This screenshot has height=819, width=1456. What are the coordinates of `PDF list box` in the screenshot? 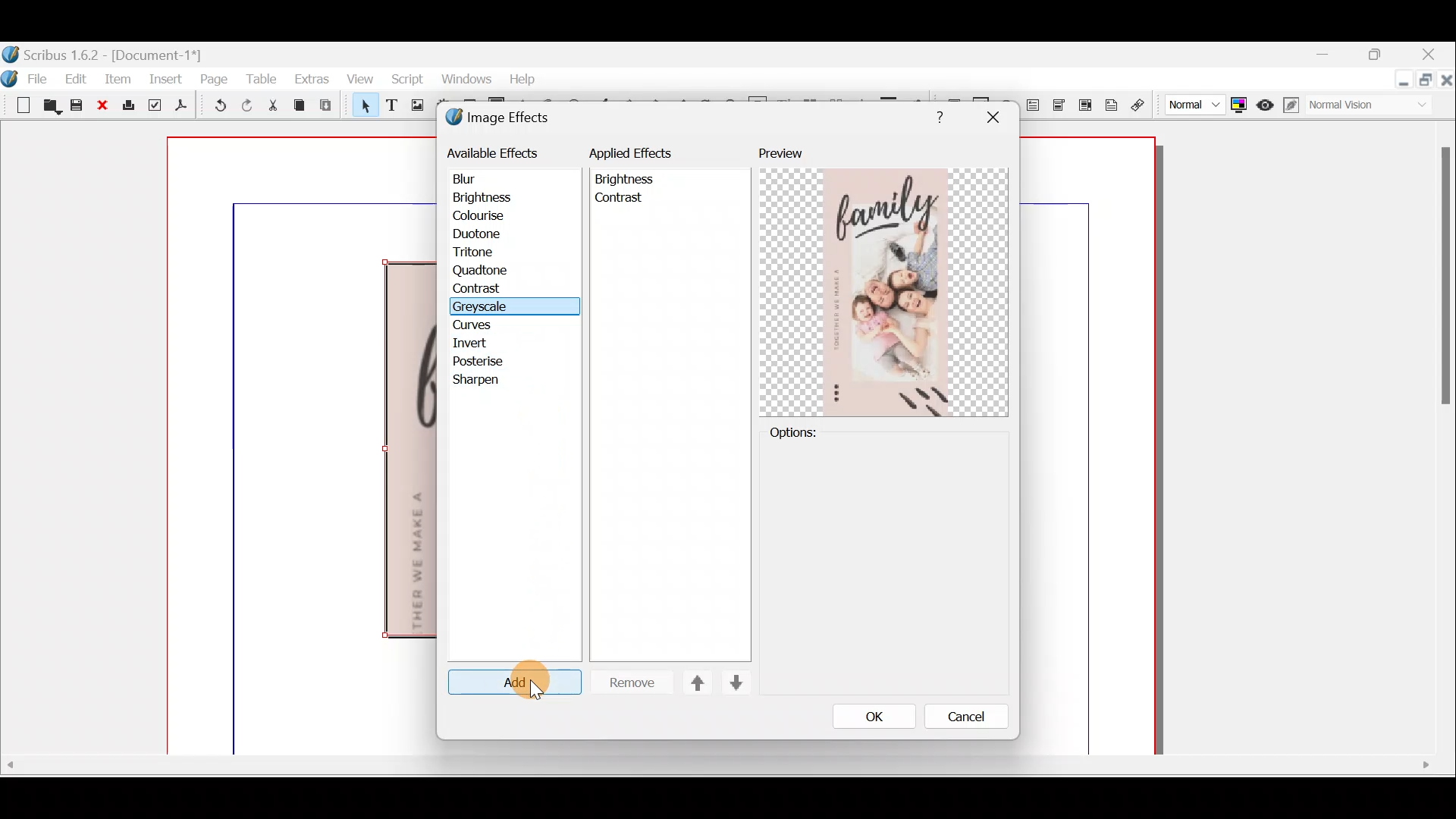 It's located at (1084, 108).